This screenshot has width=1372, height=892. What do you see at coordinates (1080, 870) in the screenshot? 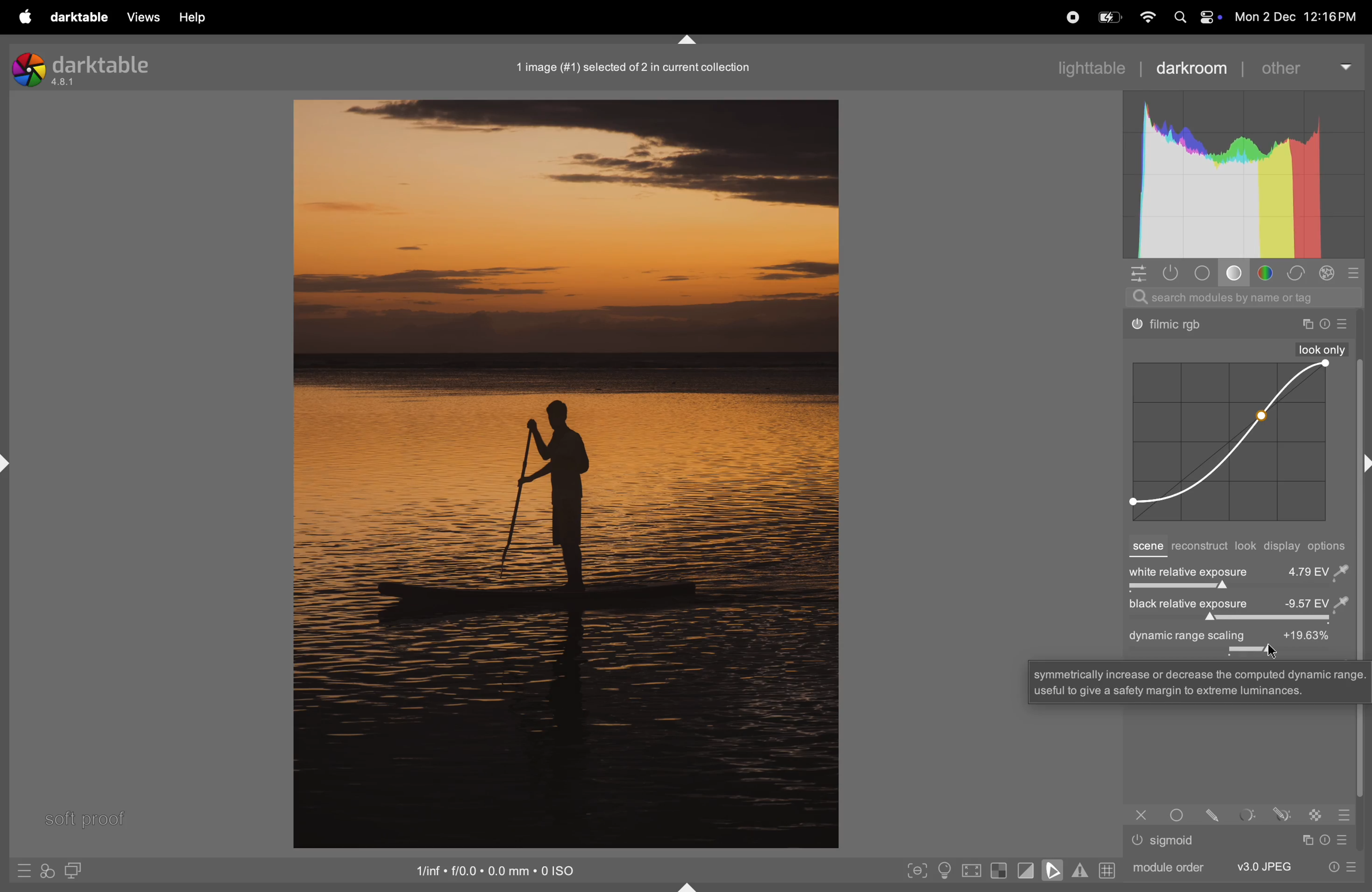
I see `toggle gamut checking` at bounding box center [1080, 870].